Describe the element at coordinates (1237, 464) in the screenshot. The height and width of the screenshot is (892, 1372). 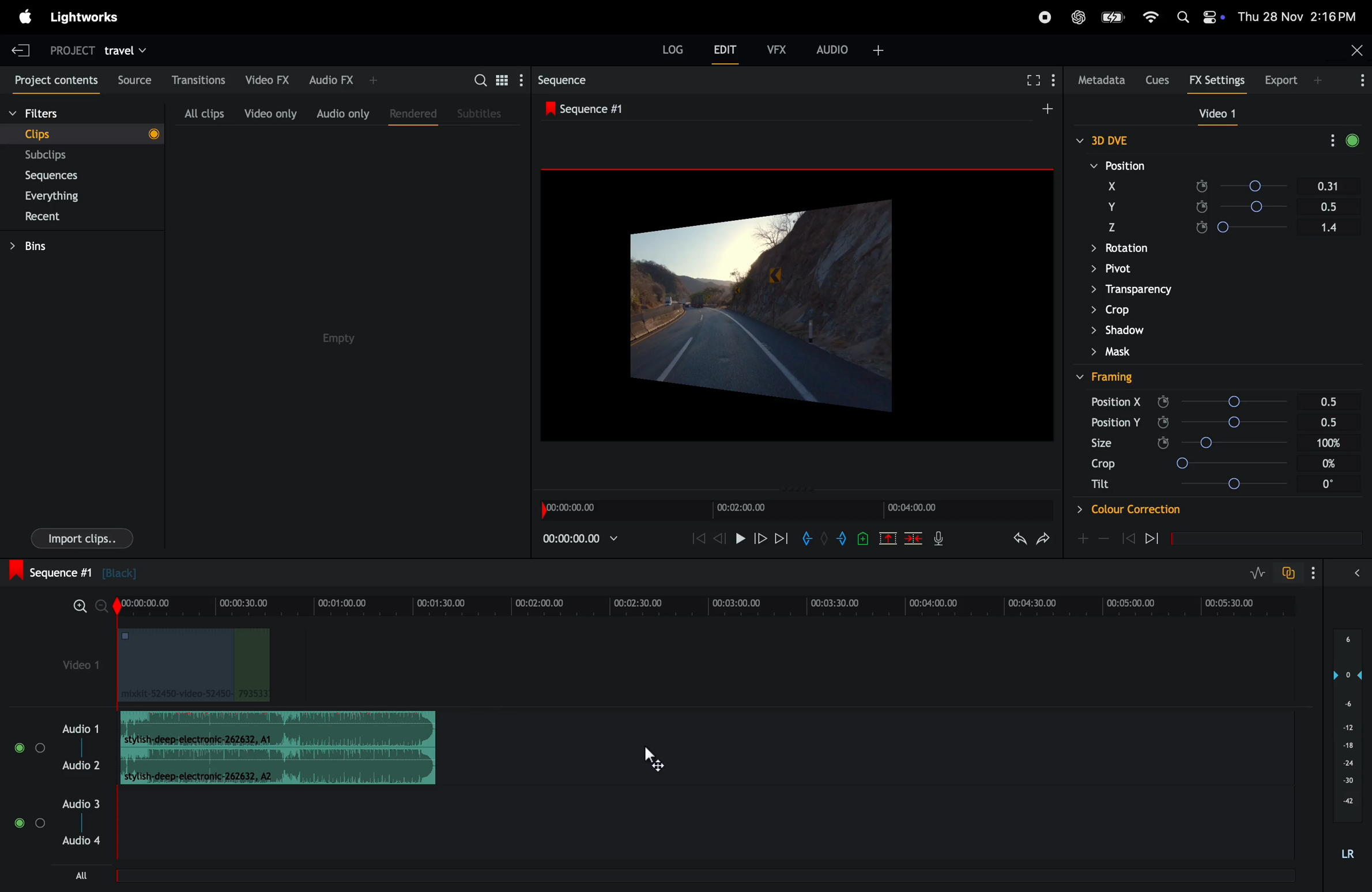
I see `` at that location.